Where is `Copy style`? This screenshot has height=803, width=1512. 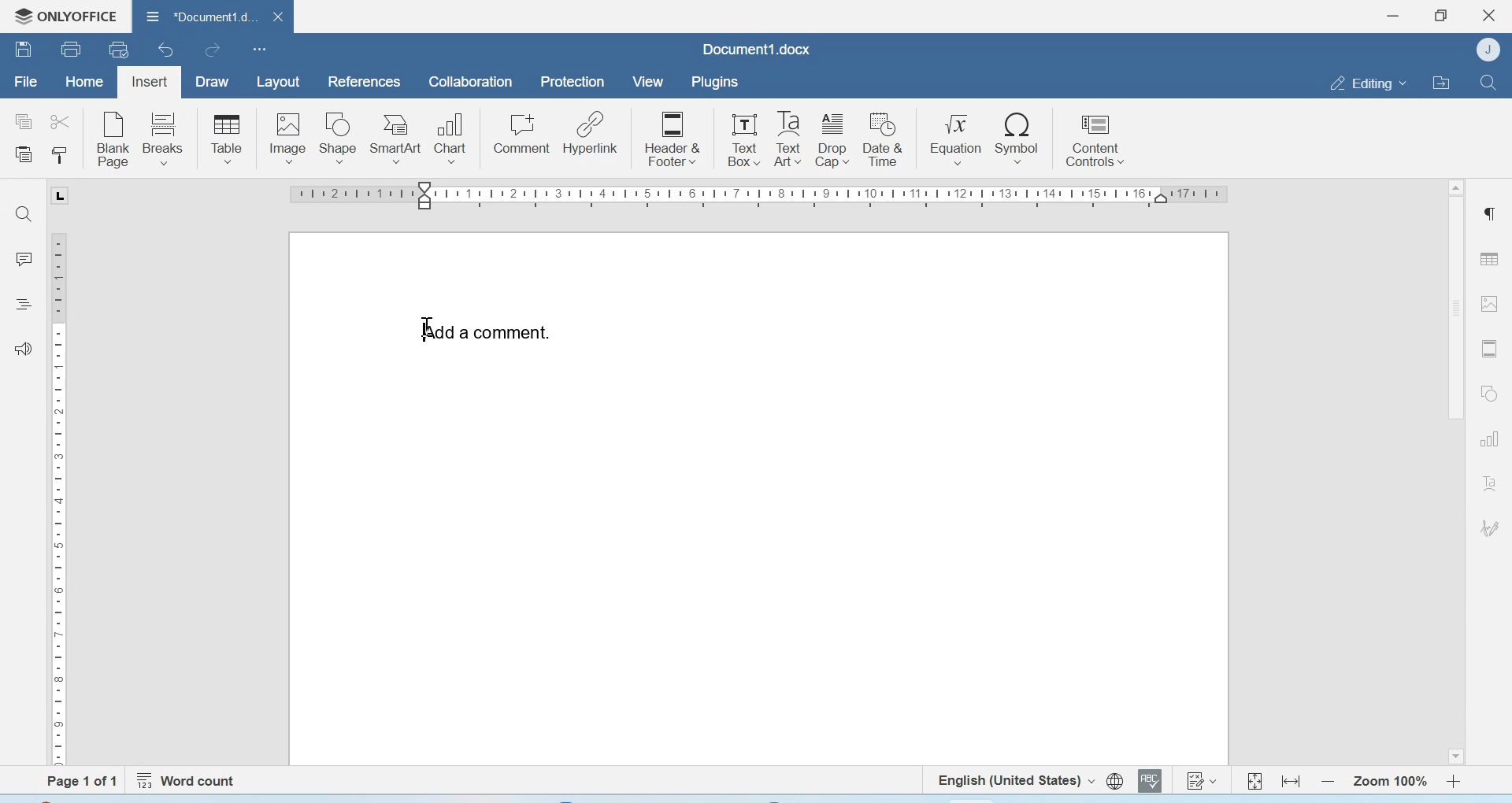
Copy style is located at coordinates (59, 156).